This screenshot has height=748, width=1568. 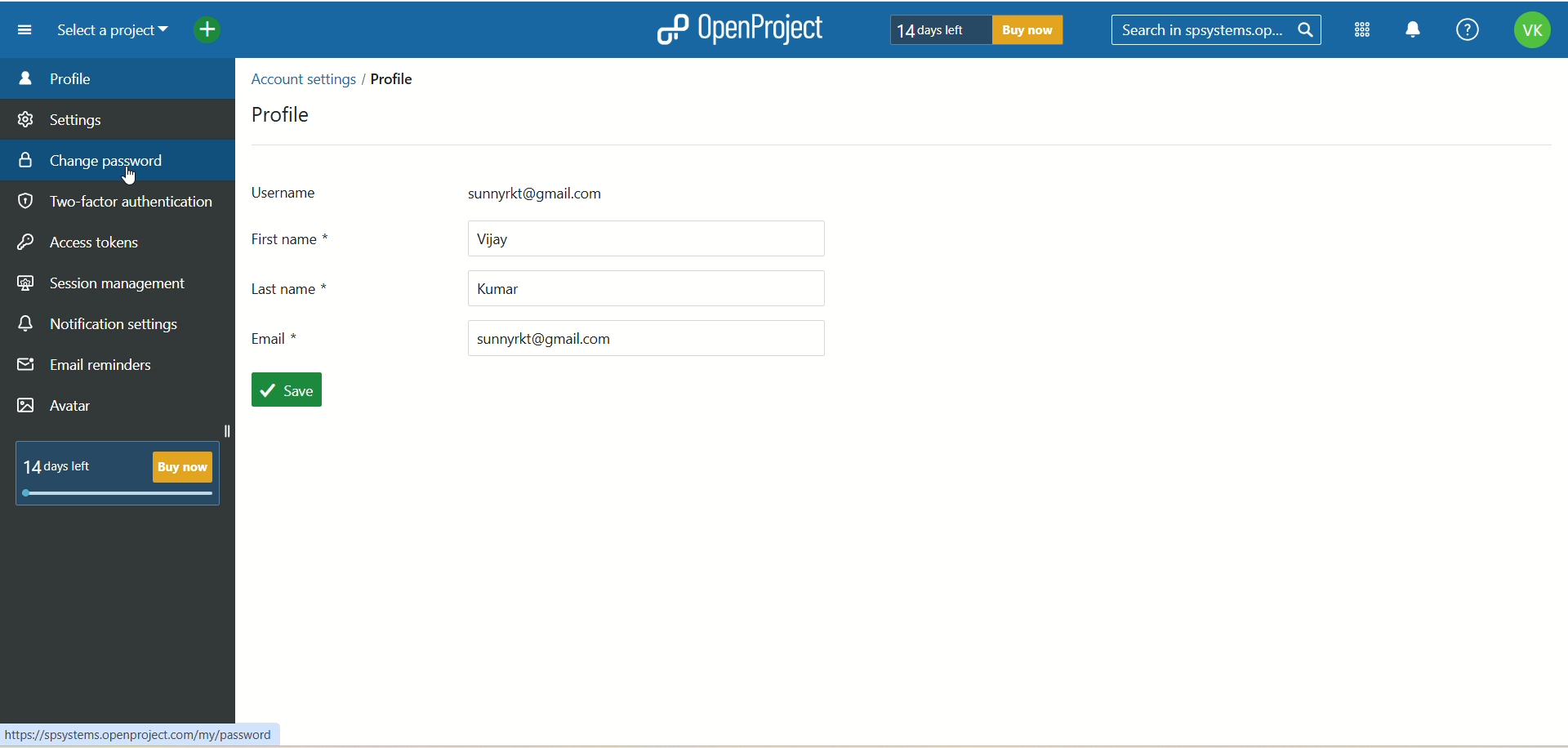 What do you see at coordinates (19, 29) in the screenshot?
I see `menu` at bounding box center [19, 29].